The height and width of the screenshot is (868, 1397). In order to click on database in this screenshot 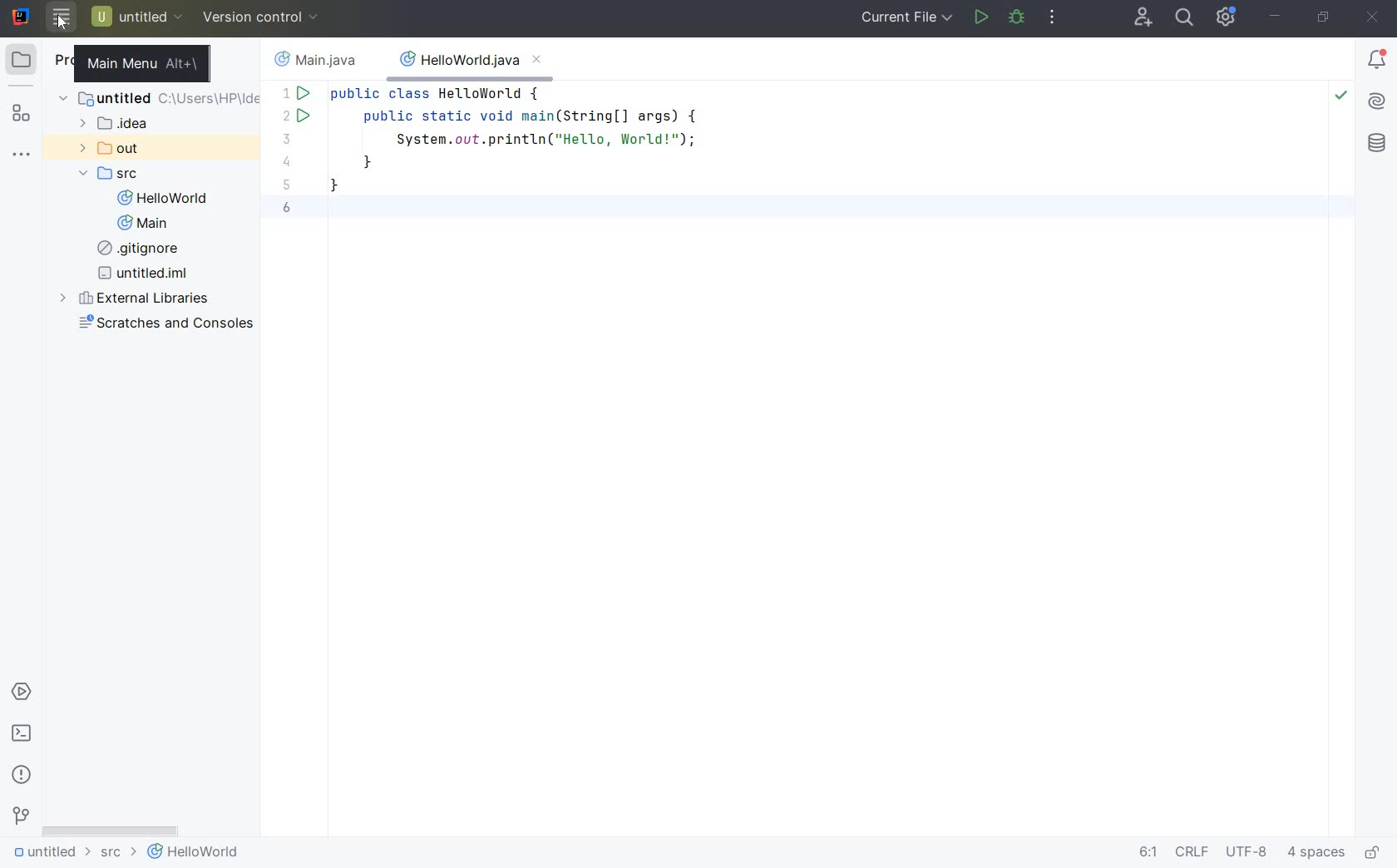, I will do `click(1376, 145)`.